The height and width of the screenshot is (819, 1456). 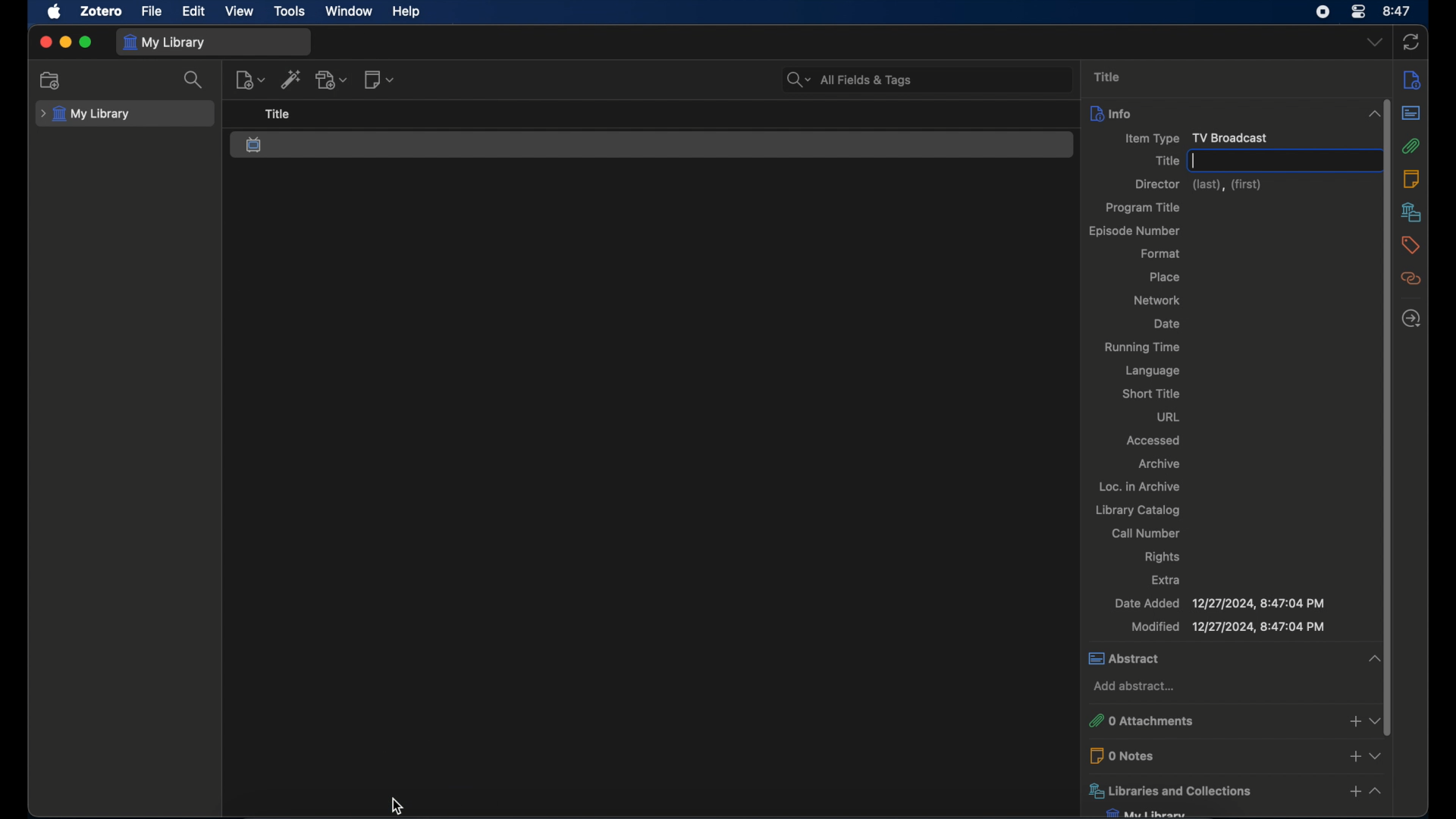 I want to click on maximize, so click(x=86, y=42).